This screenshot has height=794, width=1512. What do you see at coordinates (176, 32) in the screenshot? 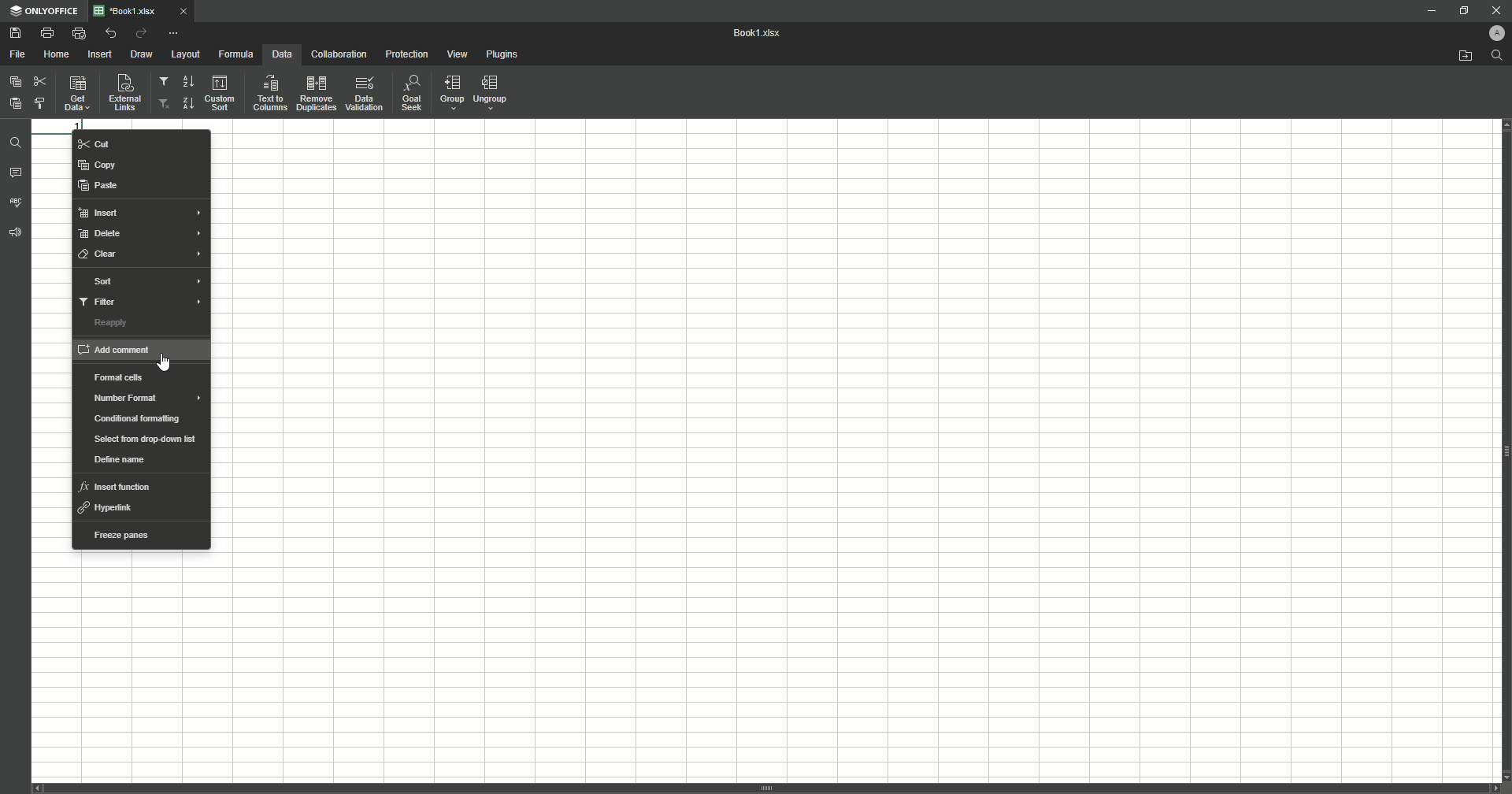
I see `More Options` at bounding box center [176, 32].